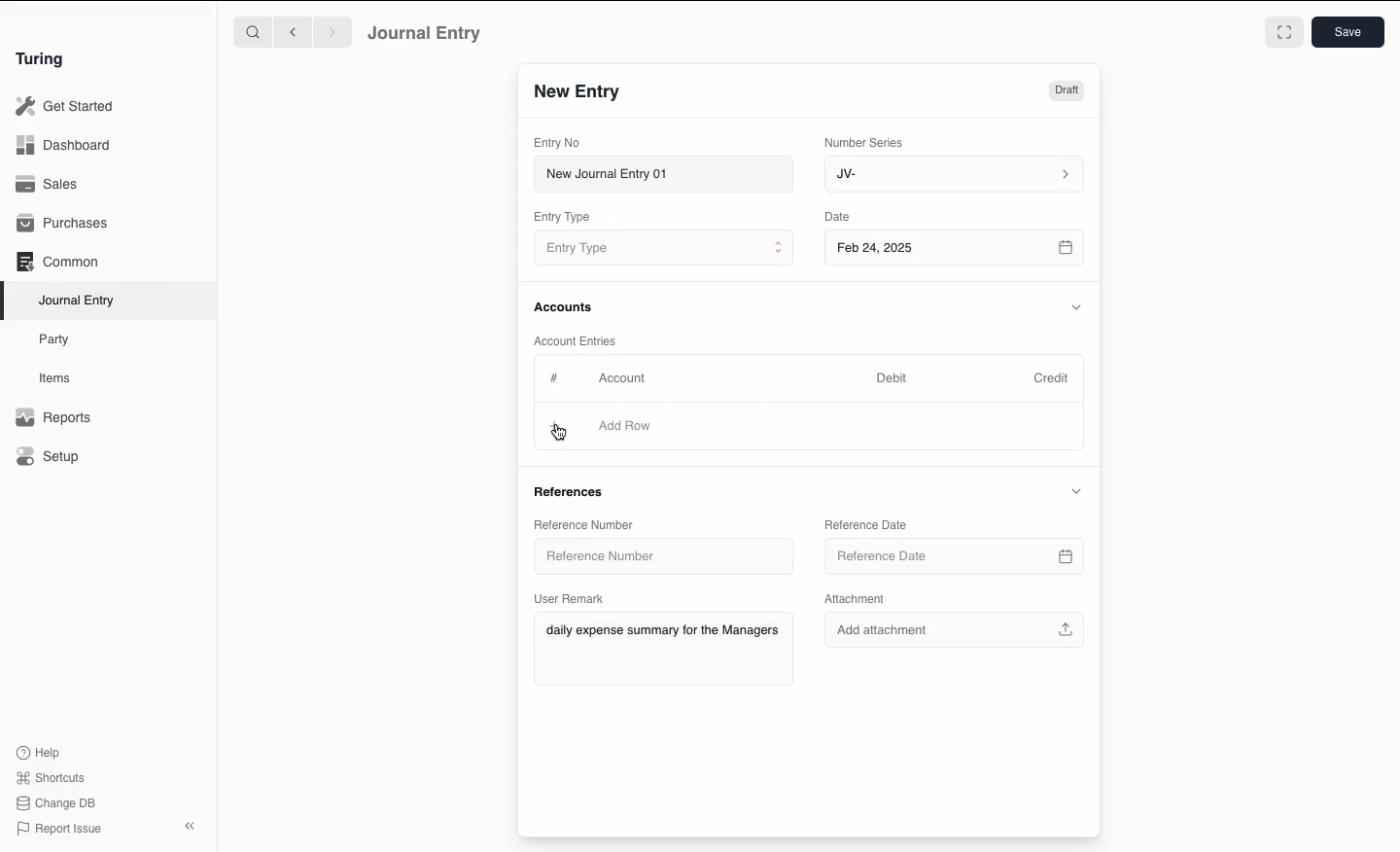 The height and width of the screenshot is (852, 1400). I want to click on Entry Type, so click(562, 217).